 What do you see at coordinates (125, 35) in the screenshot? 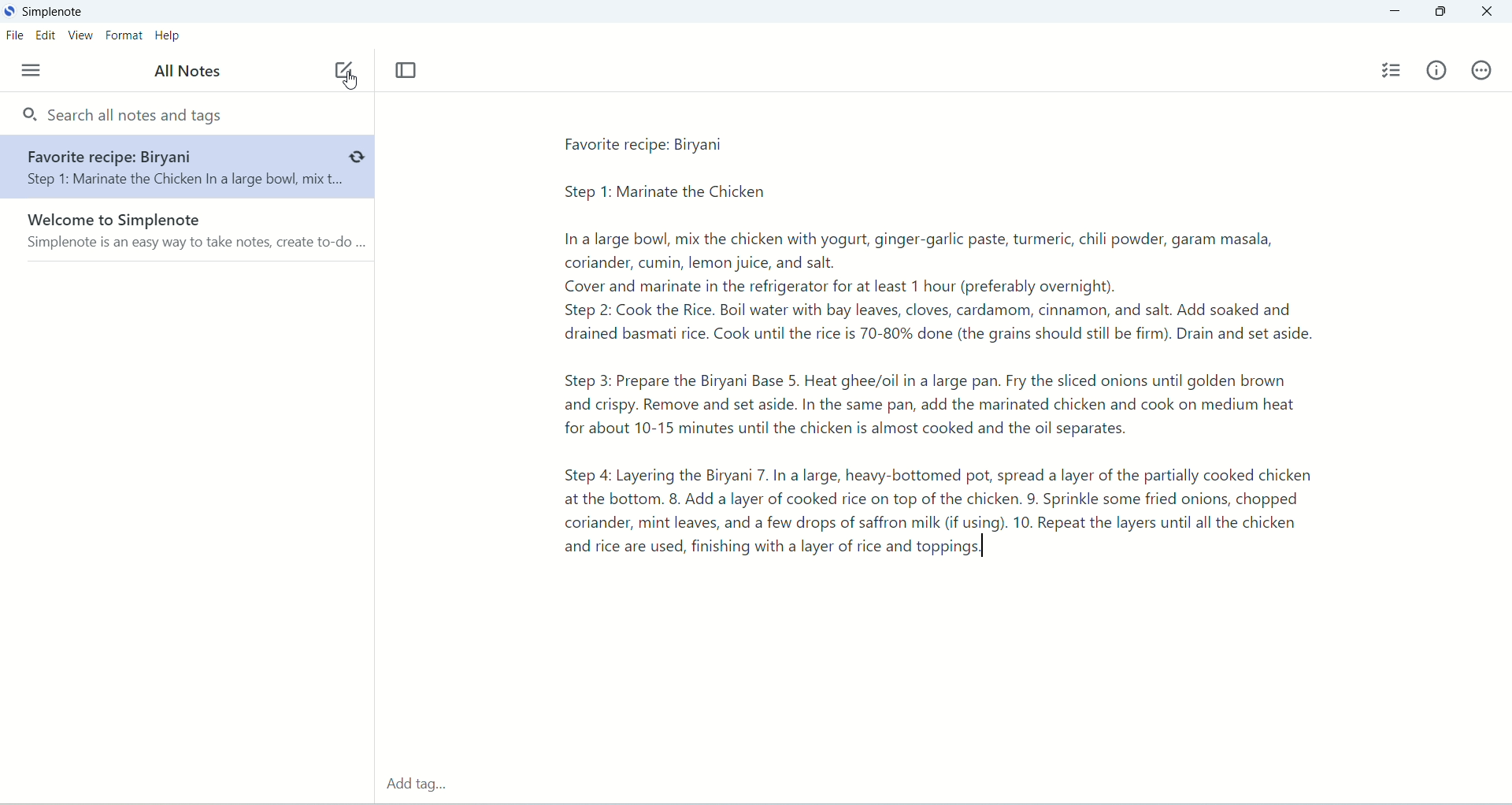
I see `format` at bounding box center [125, 35].